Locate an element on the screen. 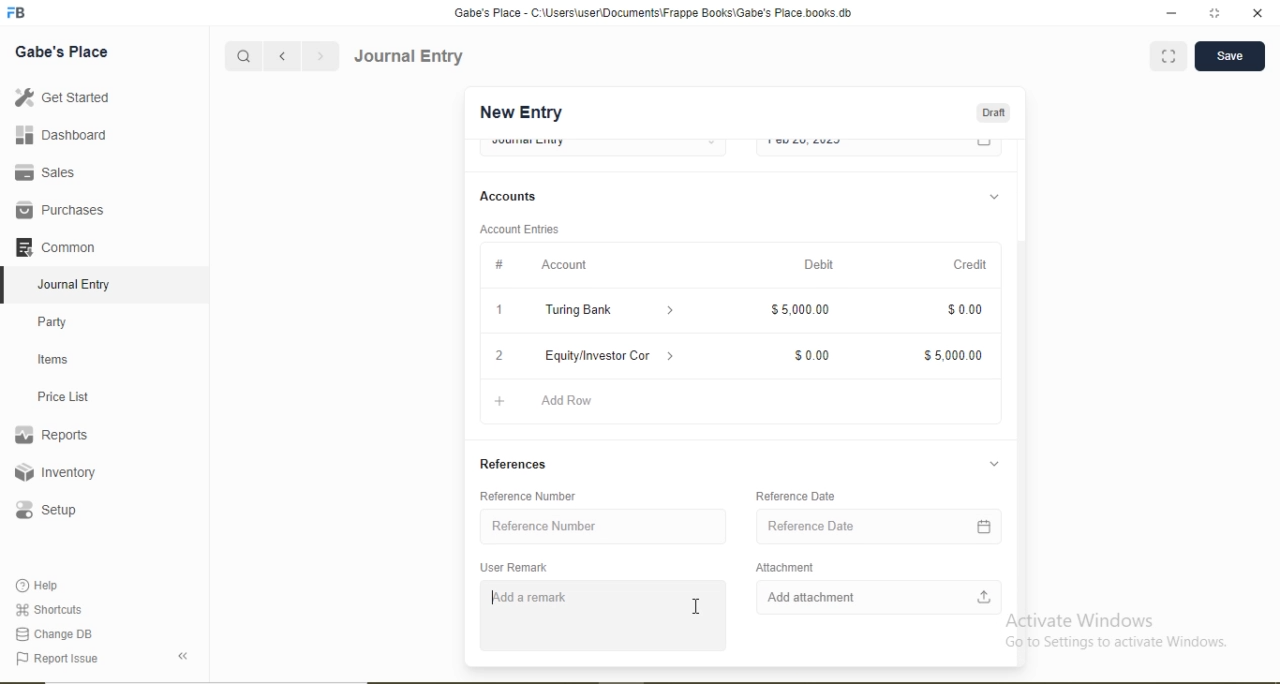  $0.00 is located at coordinates (810, 356).